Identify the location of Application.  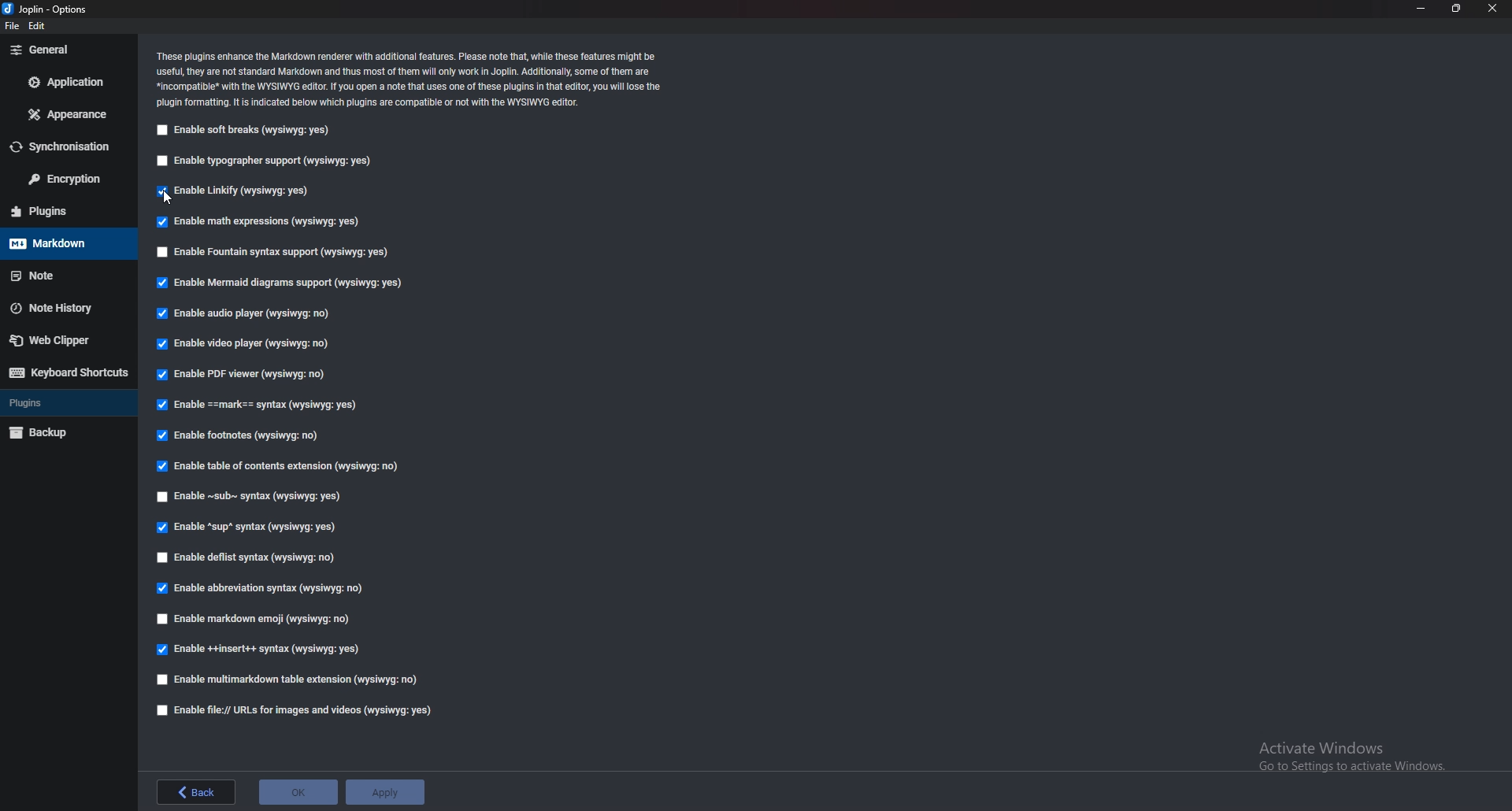
(68, 81).